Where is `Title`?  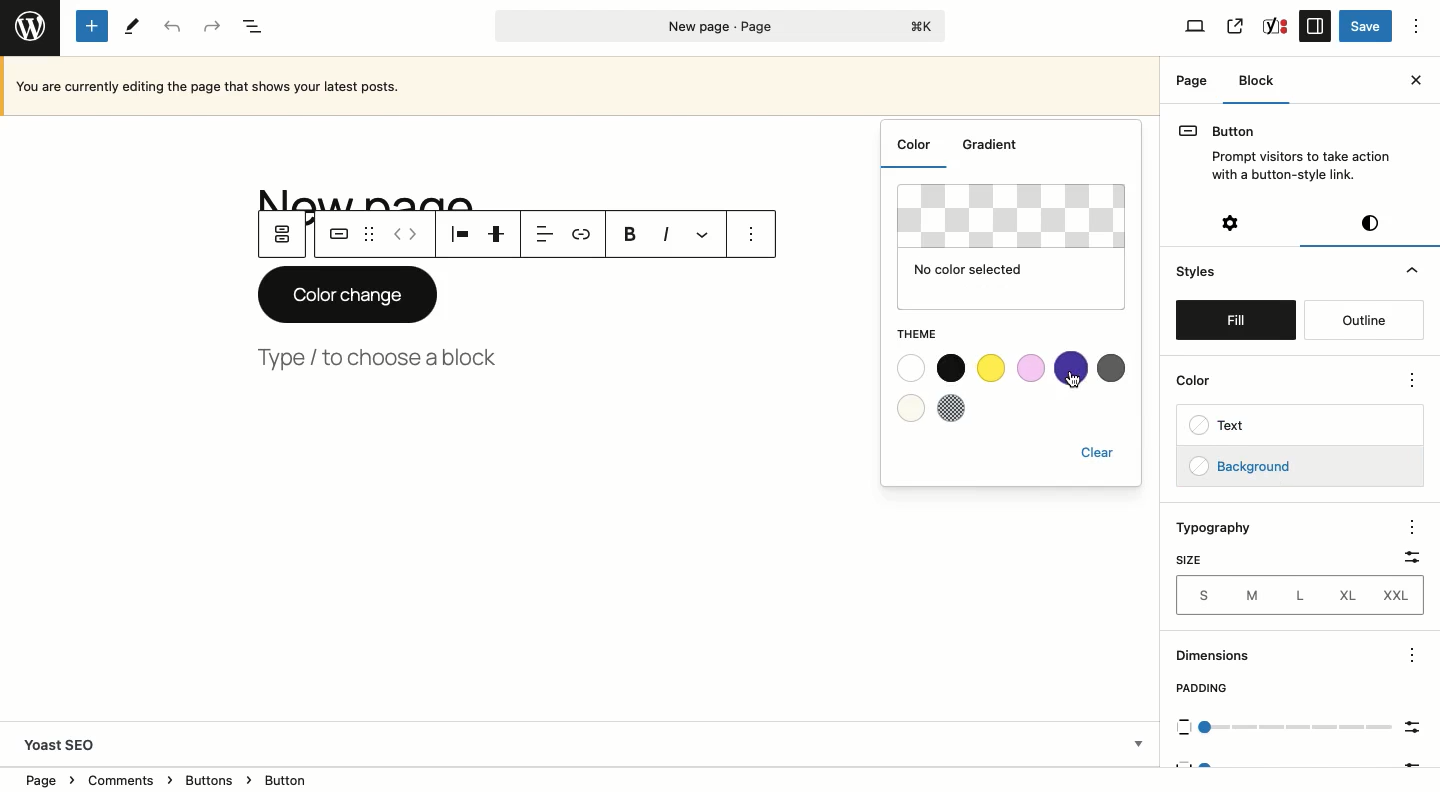 Title is located at coordinates (395, 197).